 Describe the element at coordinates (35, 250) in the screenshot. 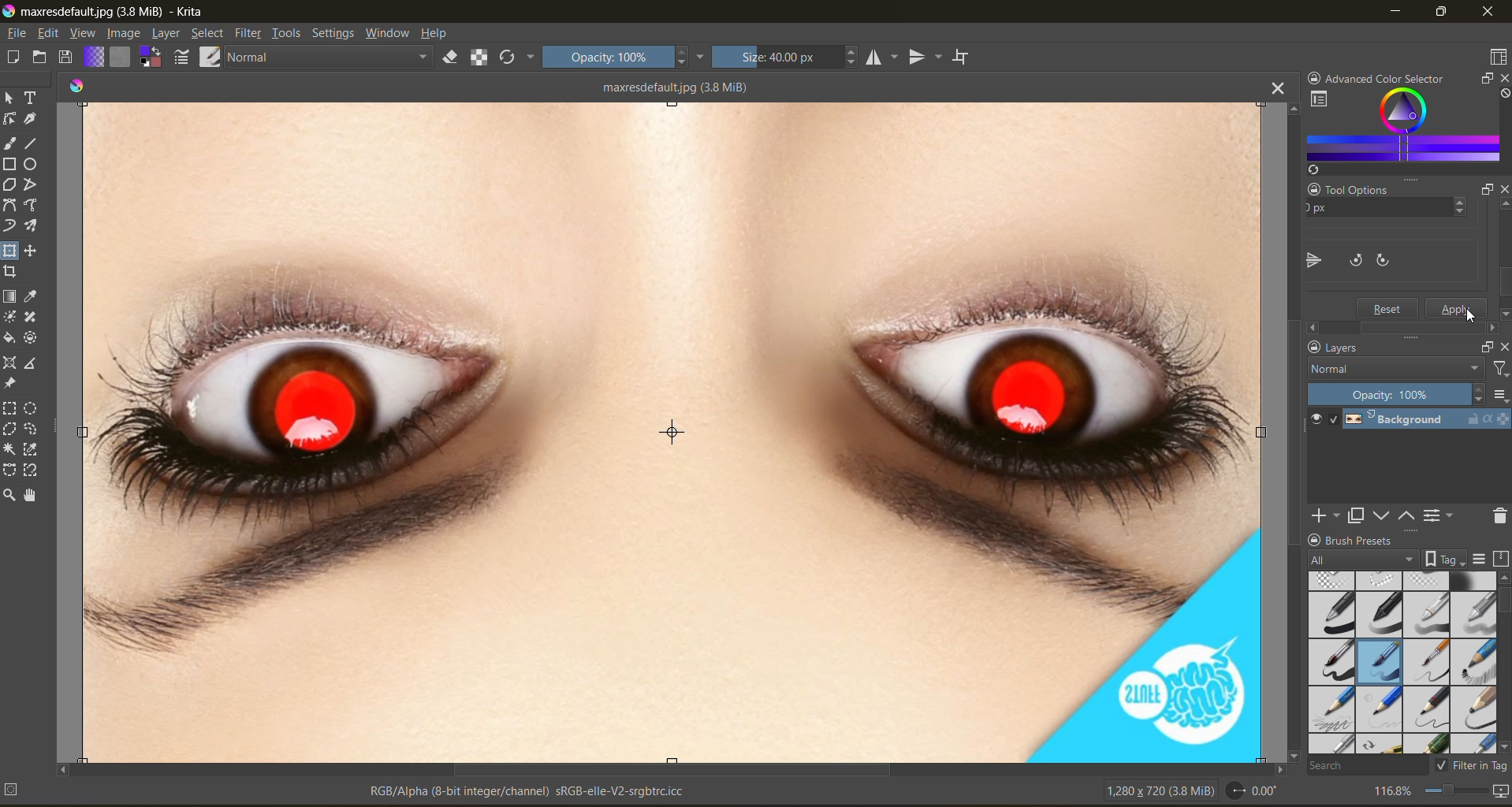

I see `tool` at that location.